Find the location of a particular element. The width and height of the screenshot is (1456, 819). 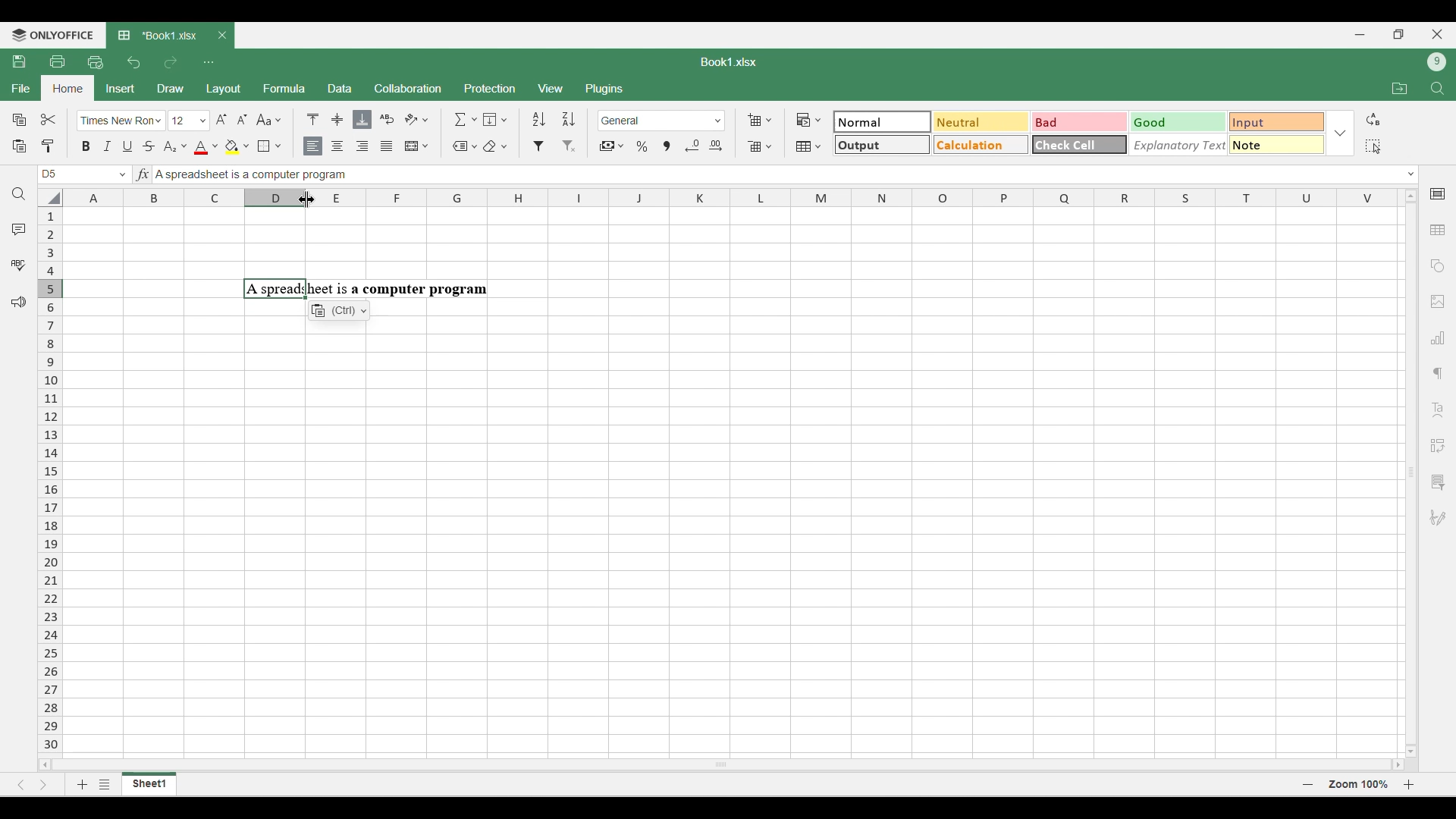

Open file location is located at coordinates (1400, 88).